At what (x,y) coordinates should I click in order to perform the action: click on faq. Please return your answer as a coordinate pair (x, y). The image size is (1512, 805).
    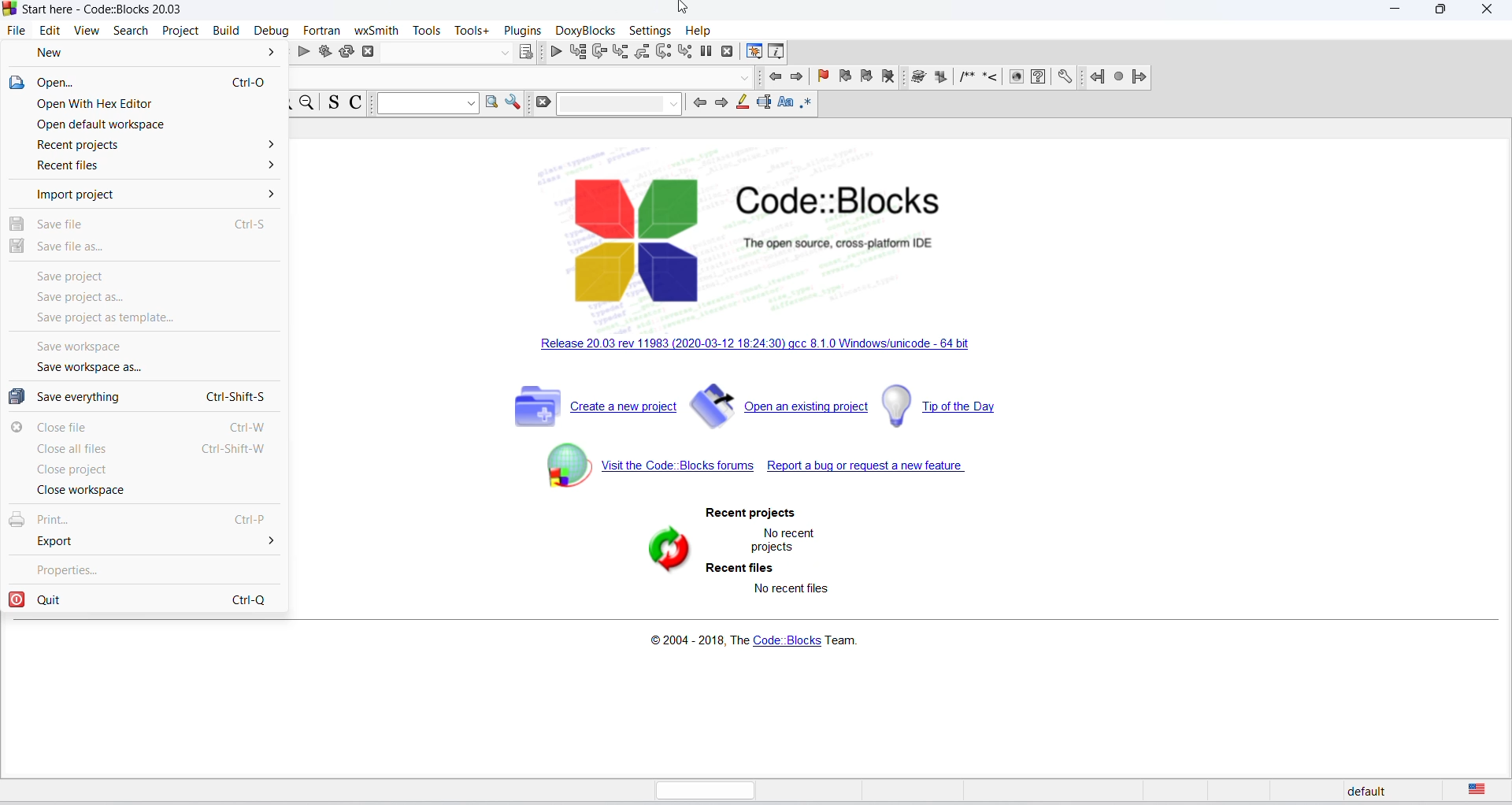
    Looking at the image, I should click on (1039, 79).